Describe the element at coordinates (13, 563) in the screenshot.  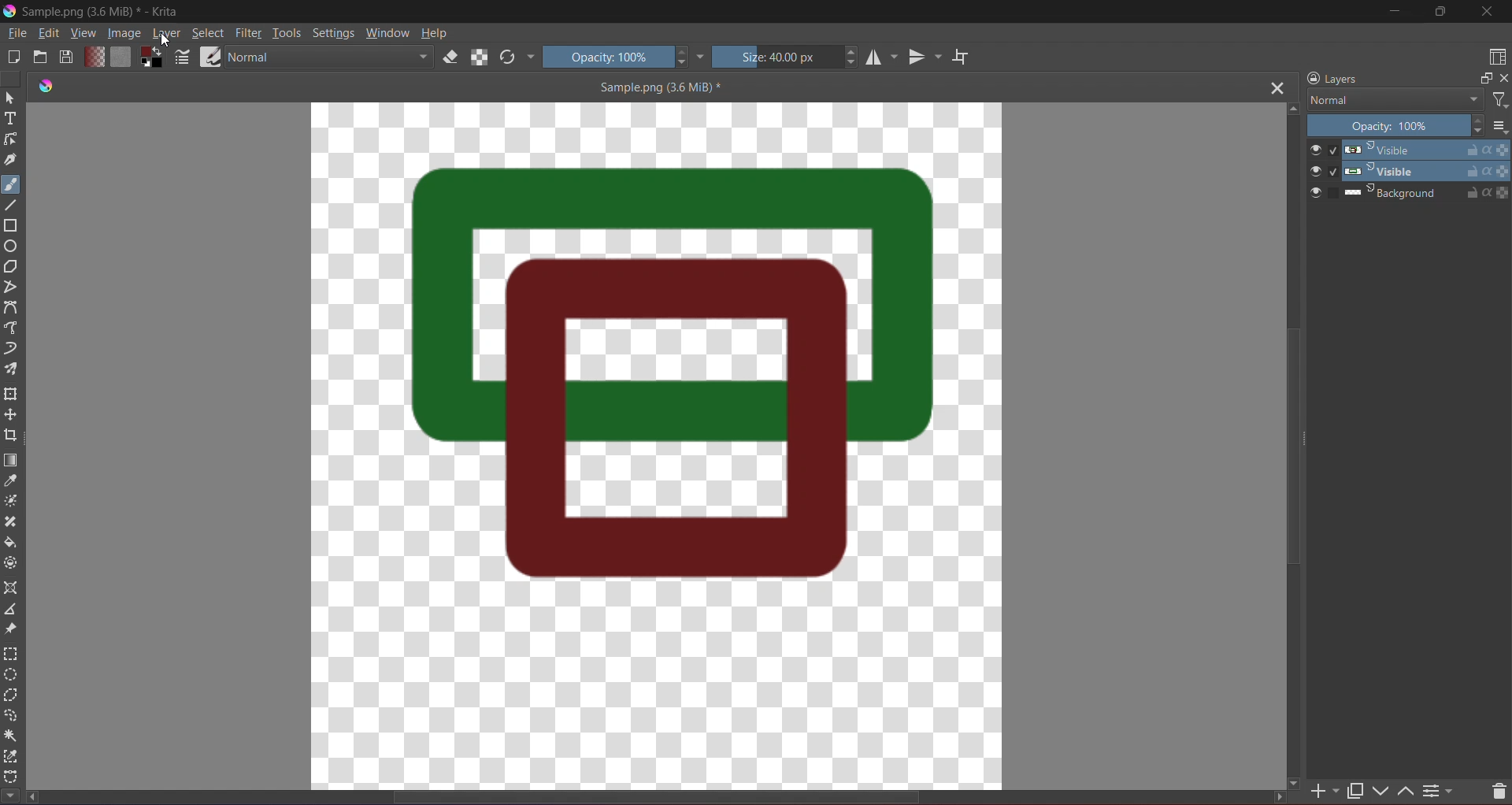
I see `Enclose and fill` at that location.